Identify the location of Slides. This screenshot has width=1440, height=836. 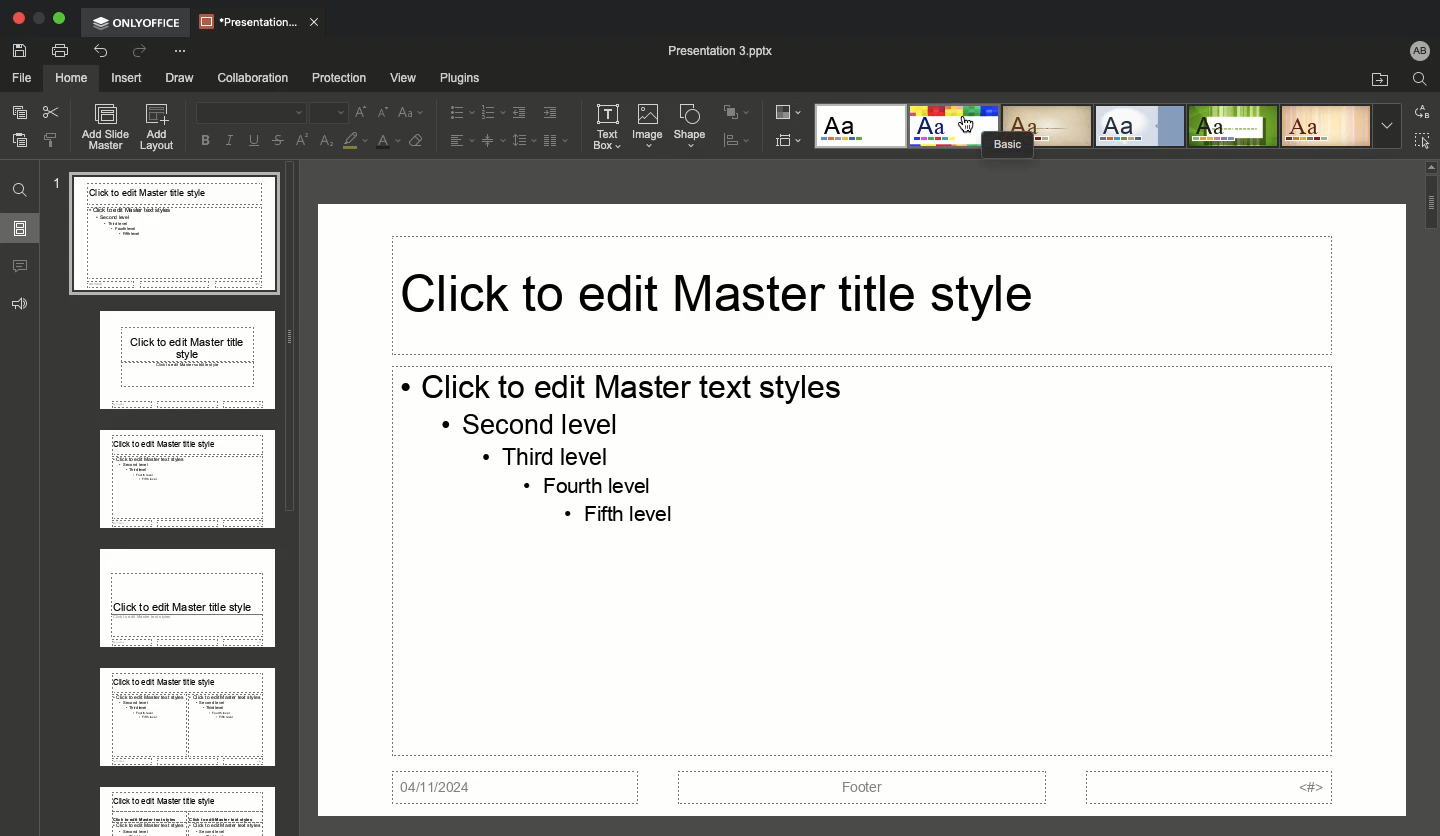
(20, 228).